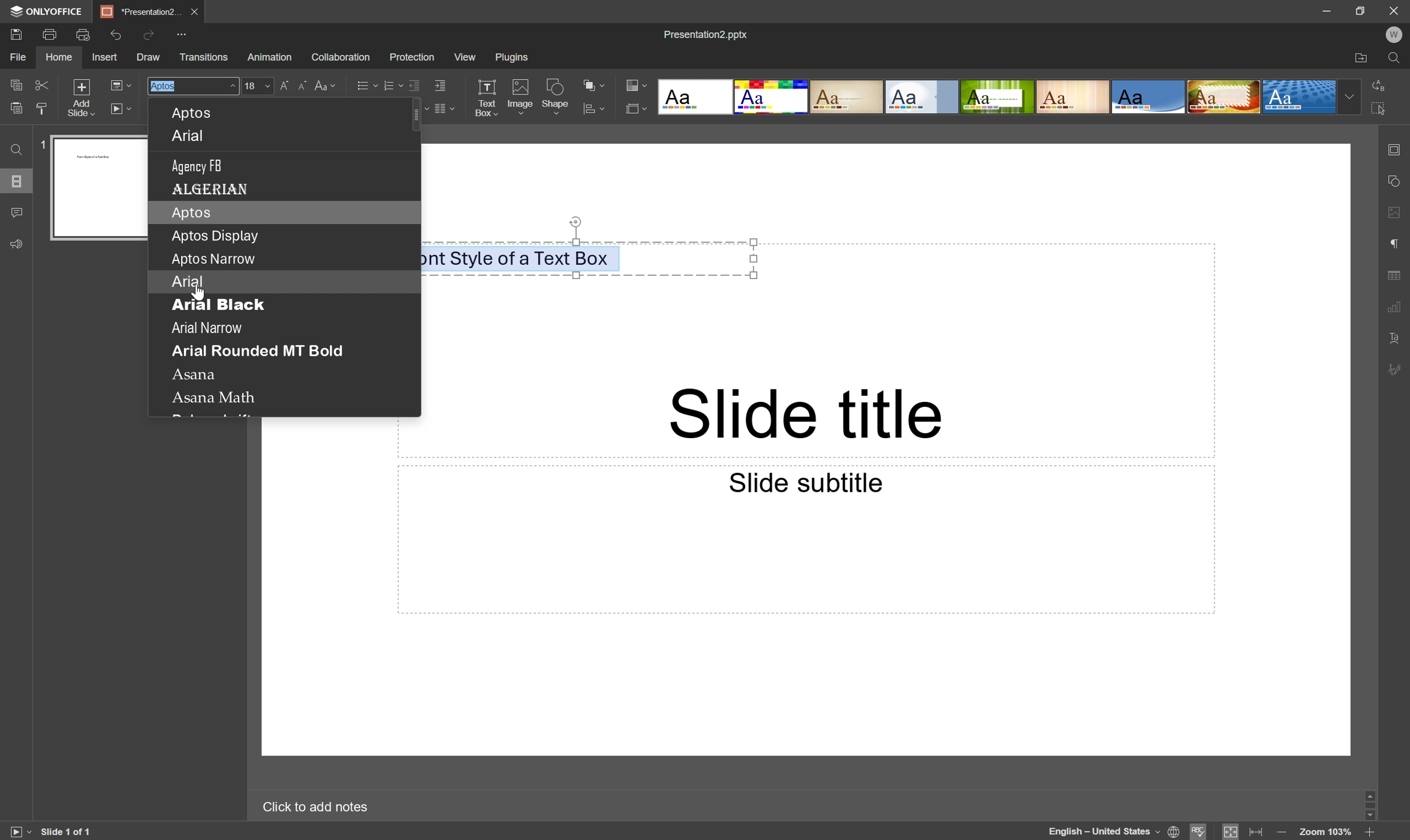 This screenshot has height=840, width=1410. What do you see at coordinates (151, 36) in the screenshot?
I see `Redo` at bounding box center [151, 36].